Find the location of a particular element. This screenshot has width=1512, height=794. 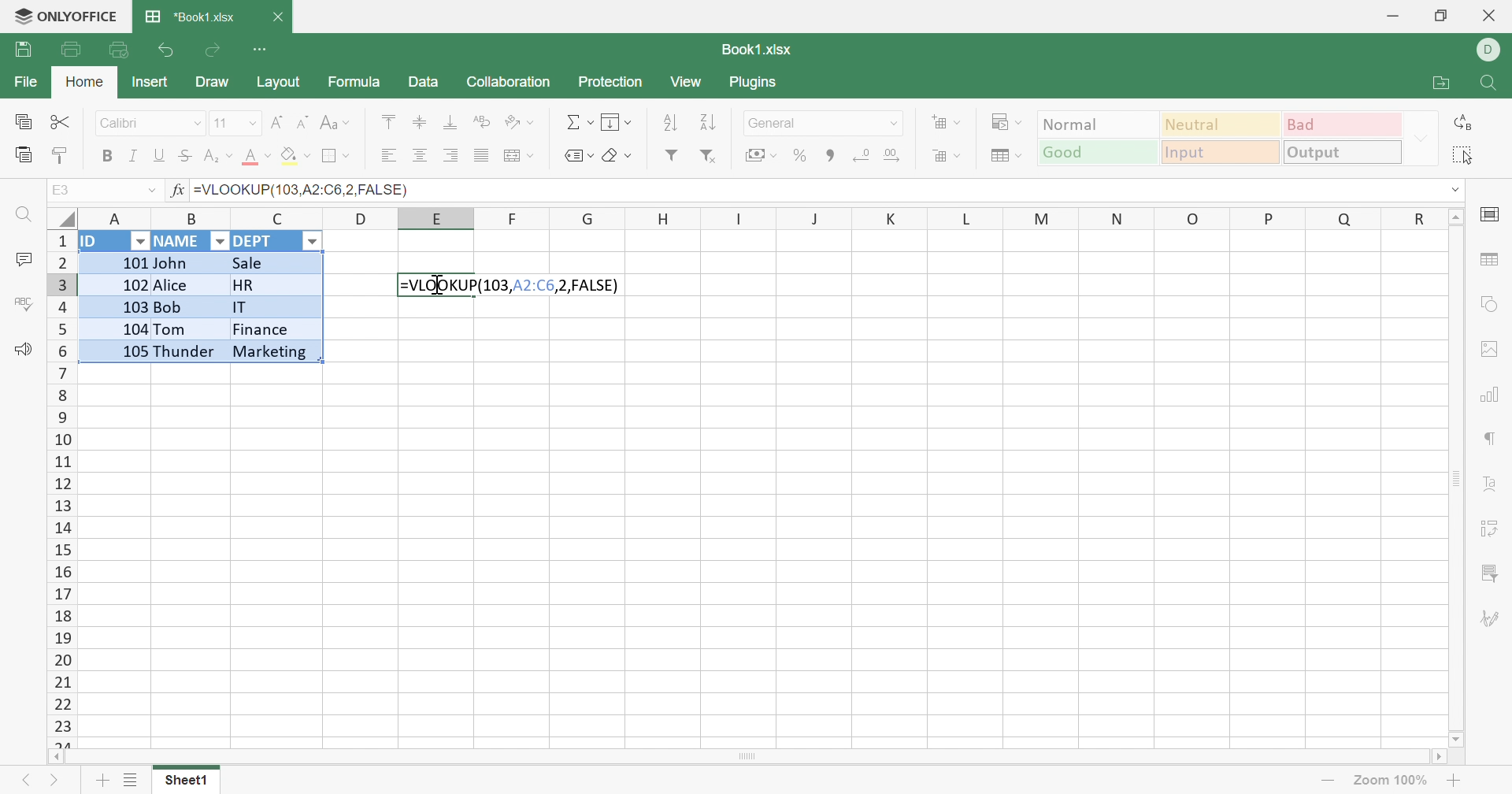

Align Center is located at coordinates (421, 158).